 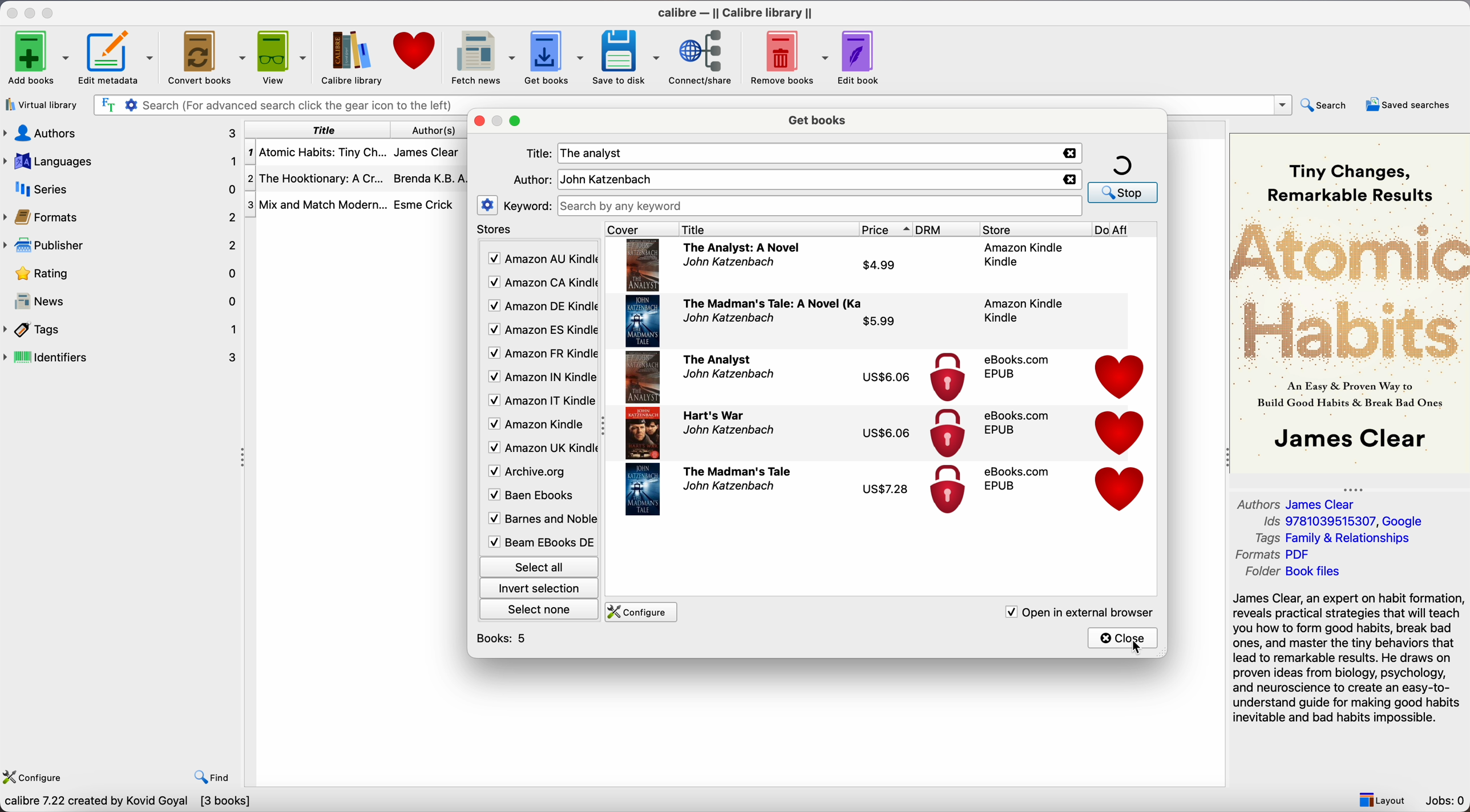 What do you see at coordinates (886, 377) in the screenshot?
I see `US$6.06` at bounding box center [886, 377].